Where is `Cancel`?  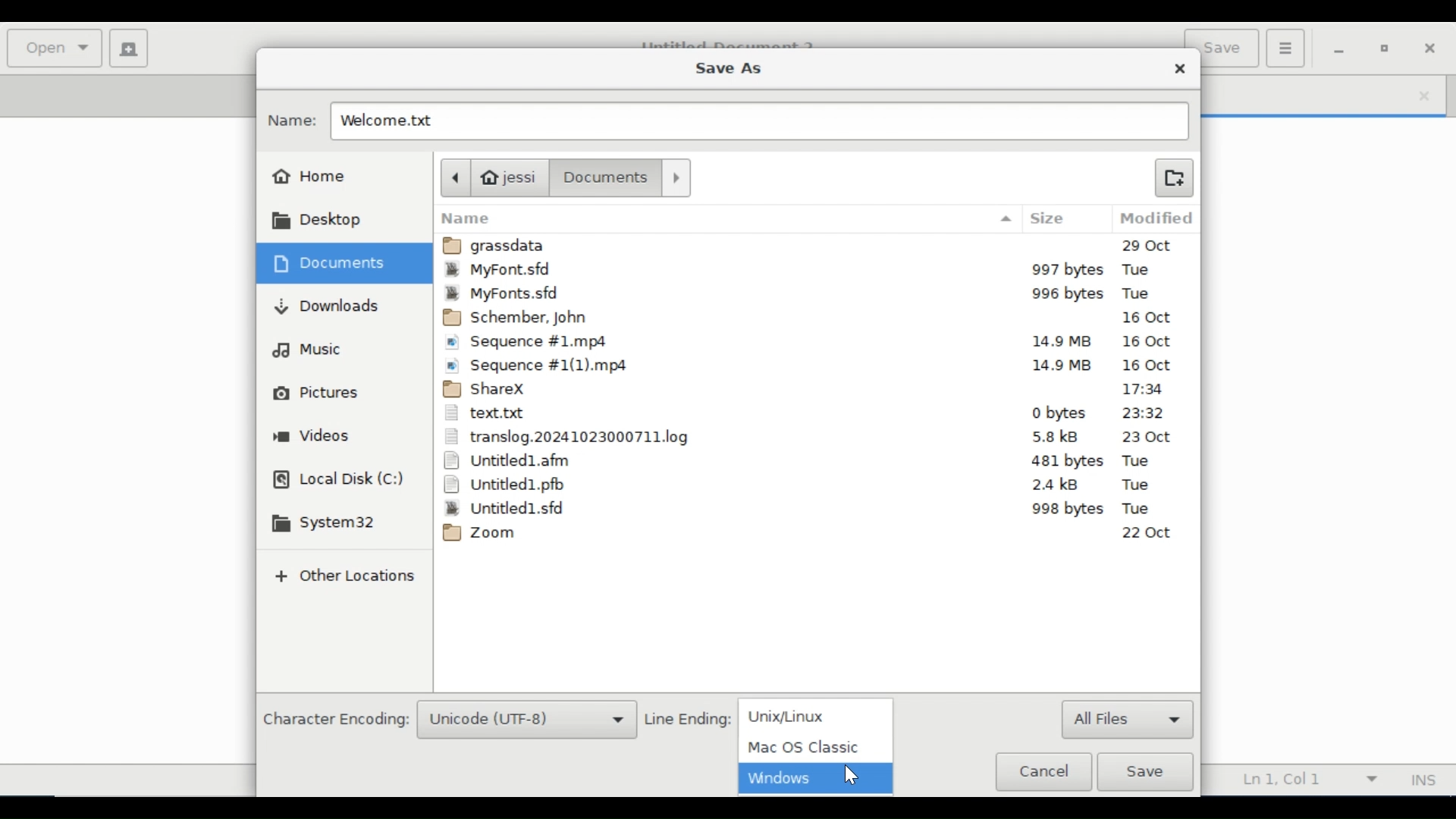
Cancel is located at coordinates (1043, 772).